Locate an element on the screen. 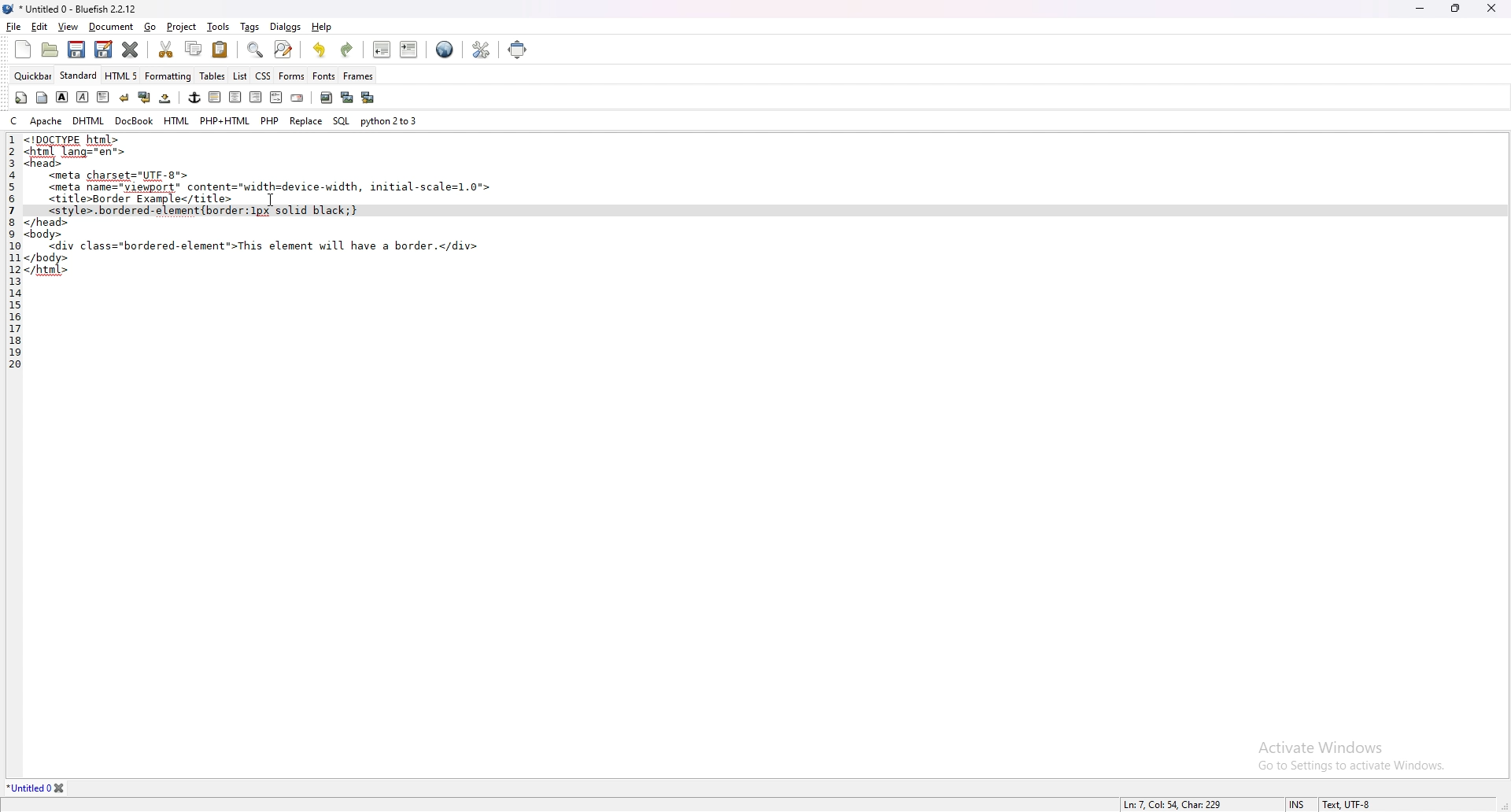 This screenshot has height=812, width=1511. apache is located at coordinates (46, 120).